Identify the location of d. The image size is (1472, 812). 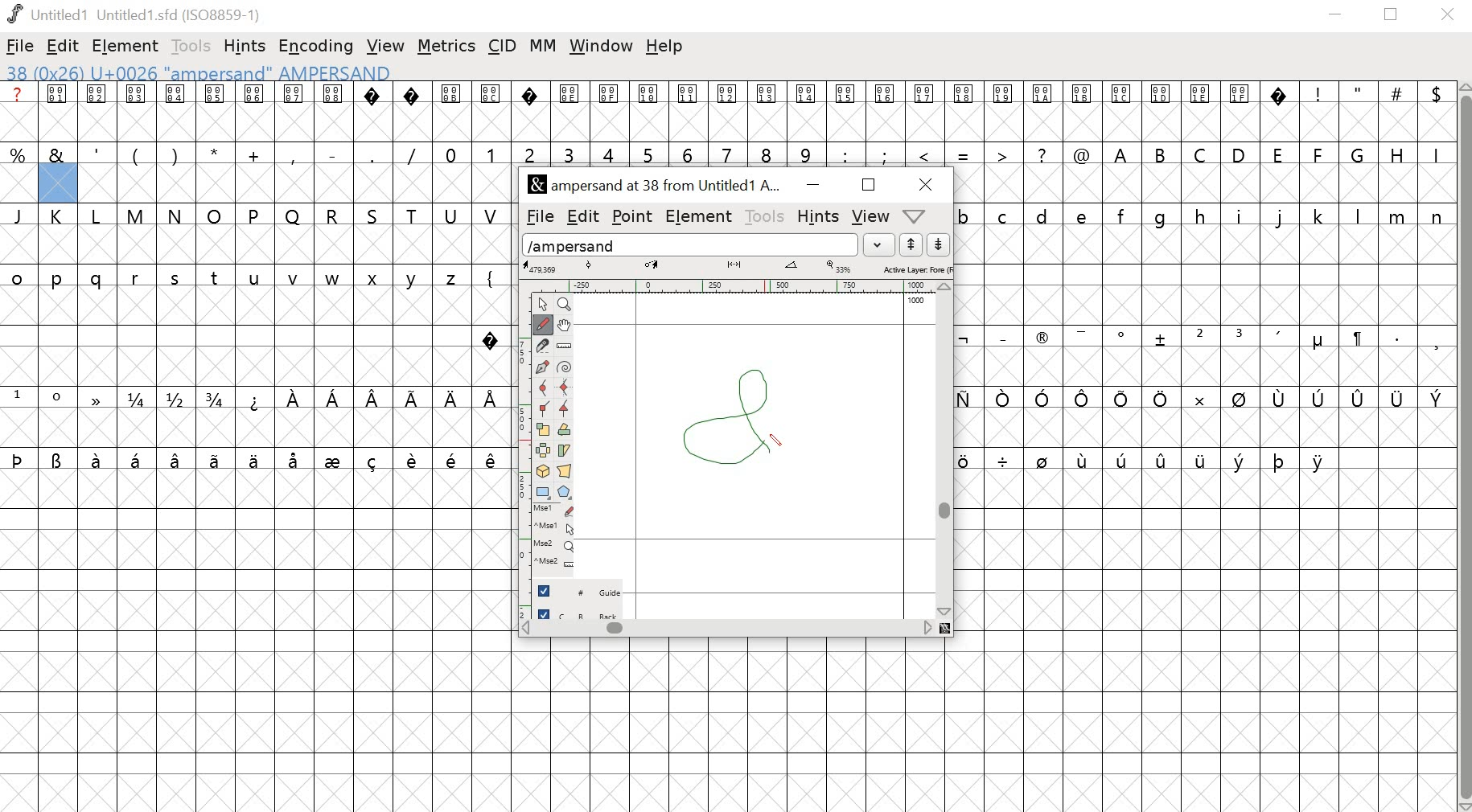
(1042, 215).